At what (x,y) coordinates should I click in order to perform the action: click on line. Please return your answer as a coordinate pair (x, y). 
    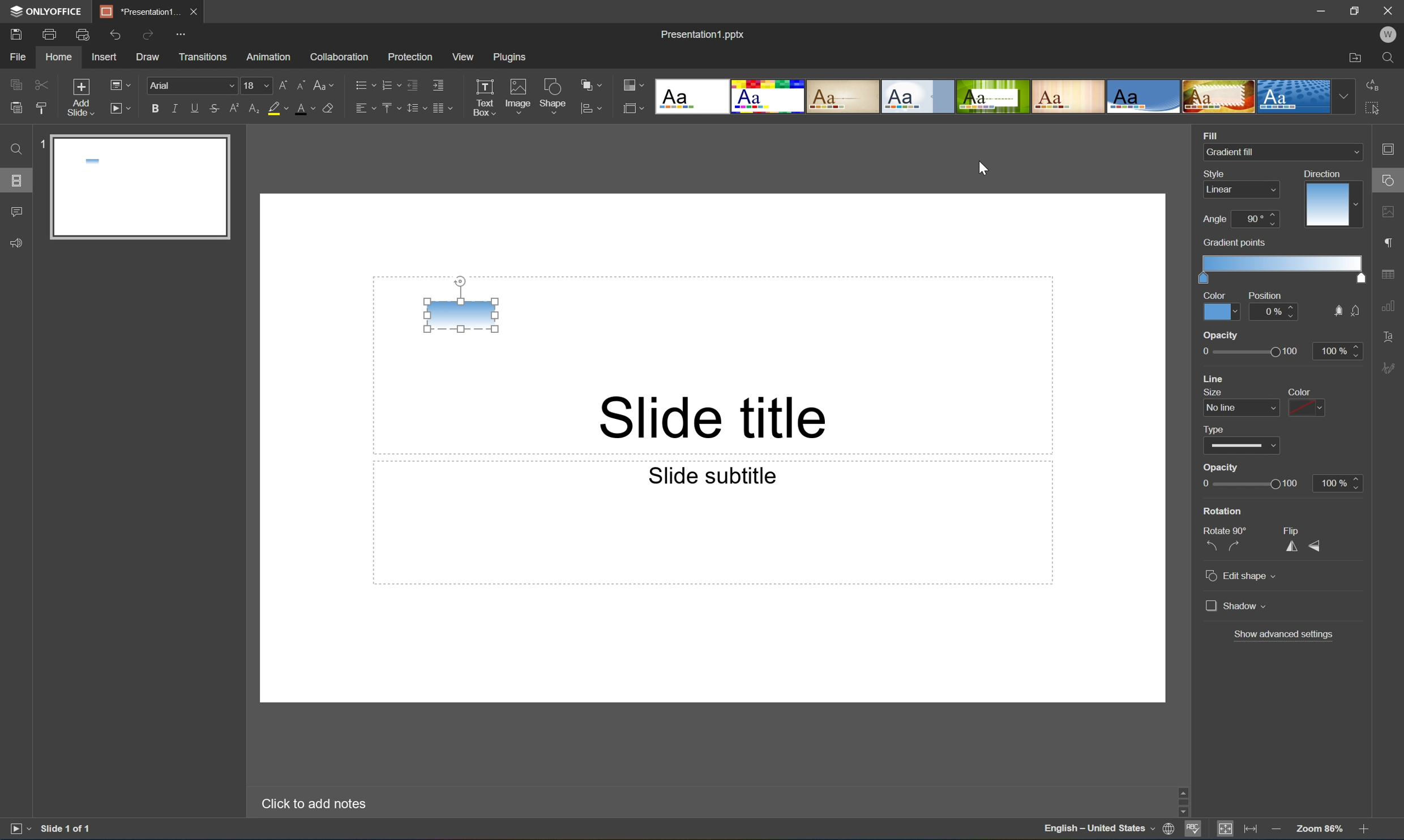
    Looking at the image, I should click on (1217, 378).